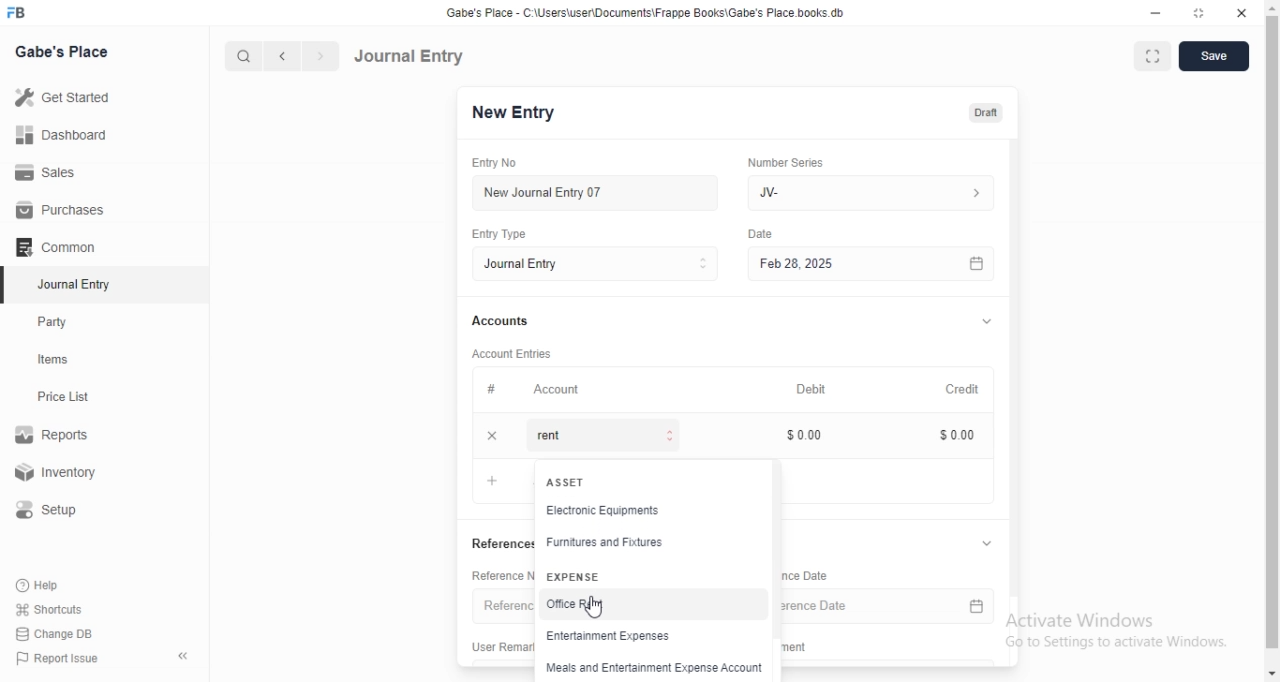 The image size is (1280, 682). What do you see at coordinates (500, 575) in the screenshot?
I see `‘Reference Number` at bounding box center [500, 575].